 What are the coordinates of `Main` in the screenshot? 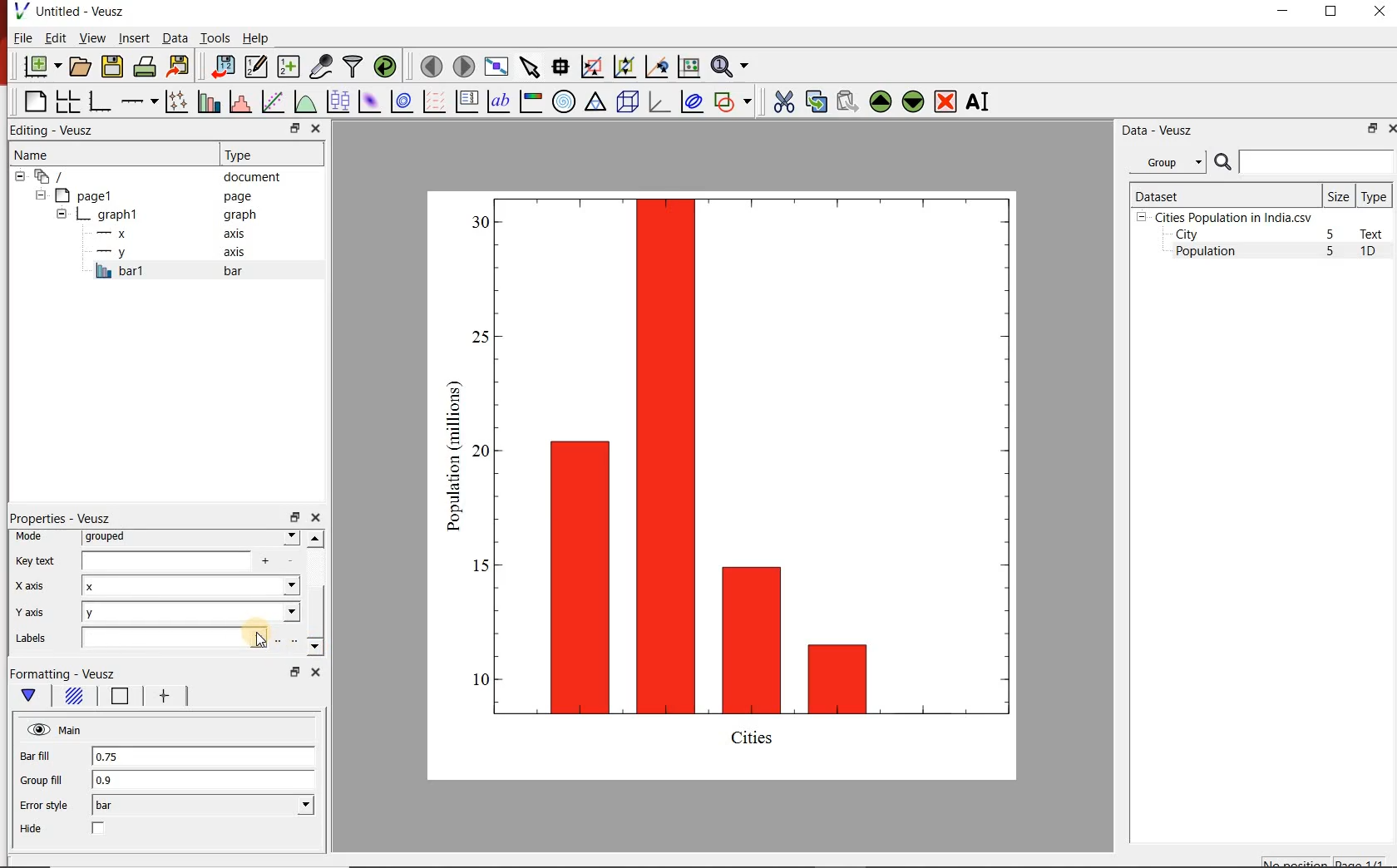 It's located at (56, 730).